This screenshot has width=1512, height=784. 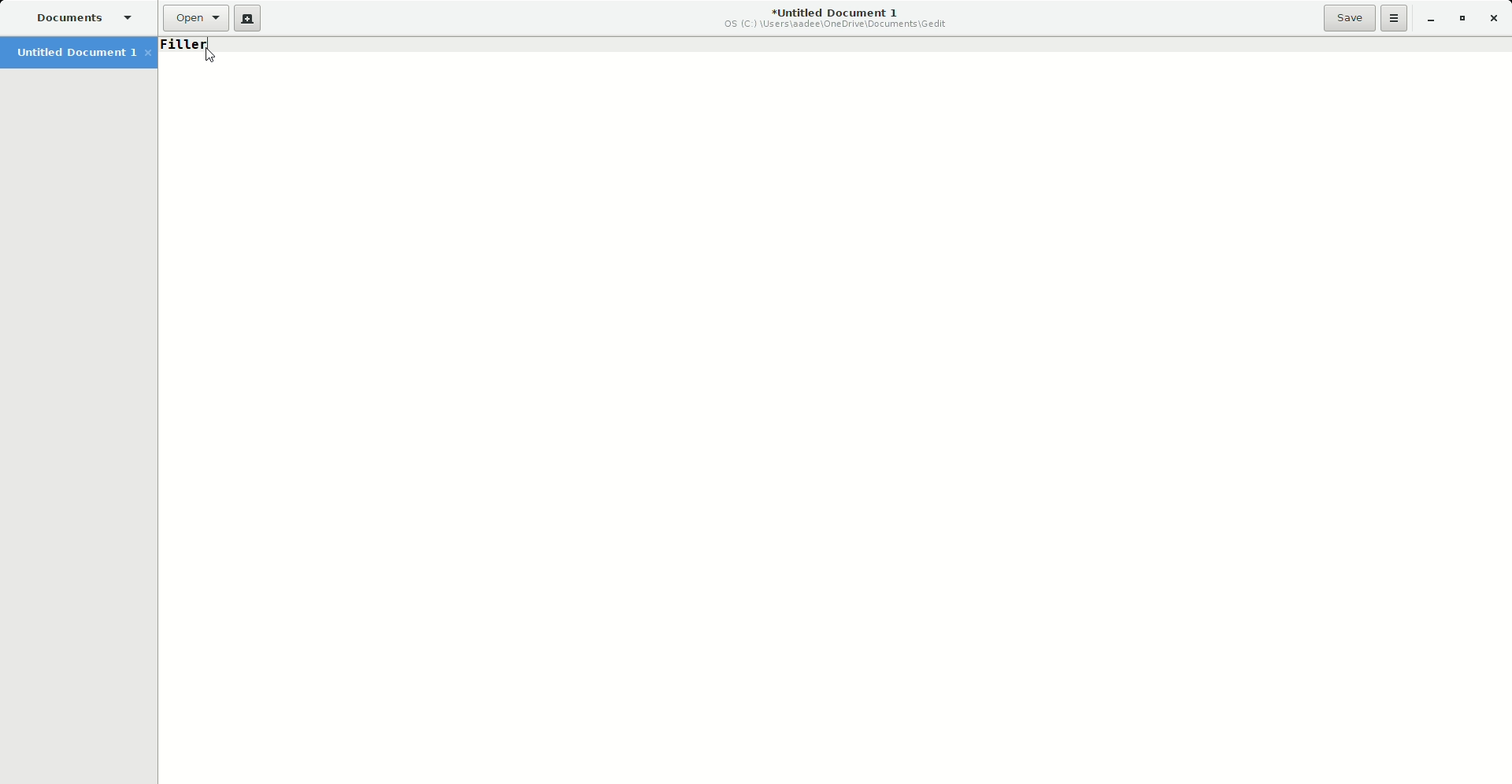 I want to click on Documents, so click(x=83, y=17).